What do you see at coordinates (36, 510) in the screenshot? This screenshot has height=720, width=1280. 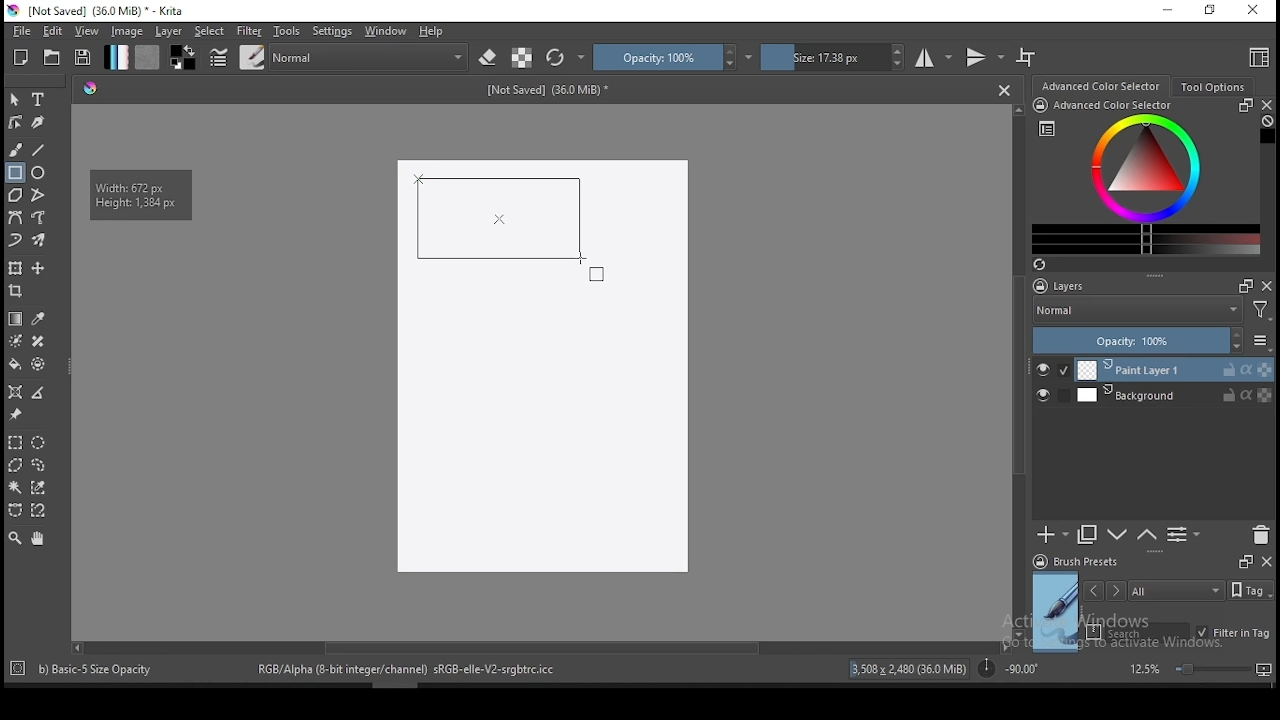 I see `magnetic curve selection tool` at bounding box center [36, 510].